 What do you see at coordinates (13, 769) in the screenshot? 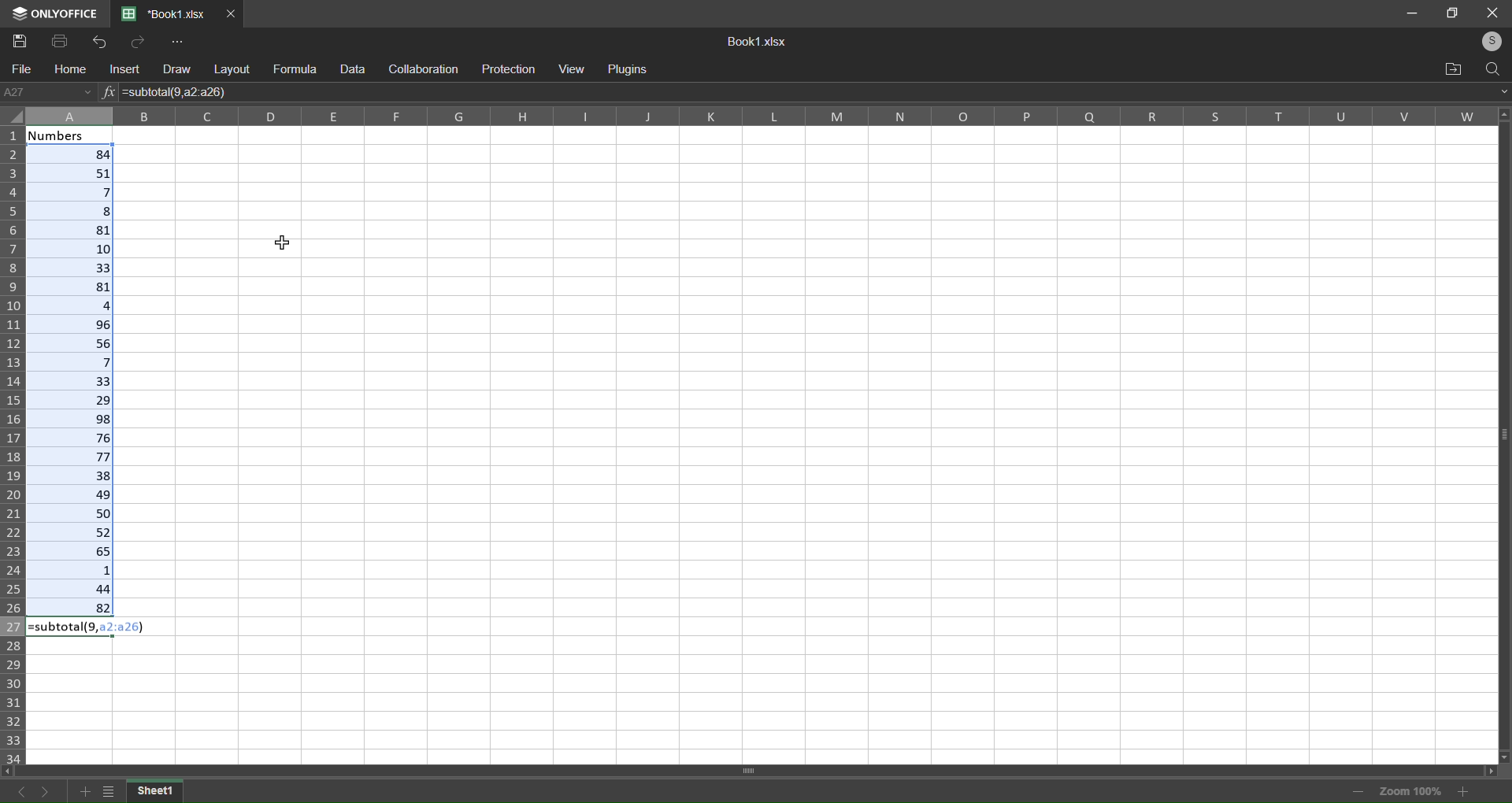
I see `move left` at bounding box center [13, 769].